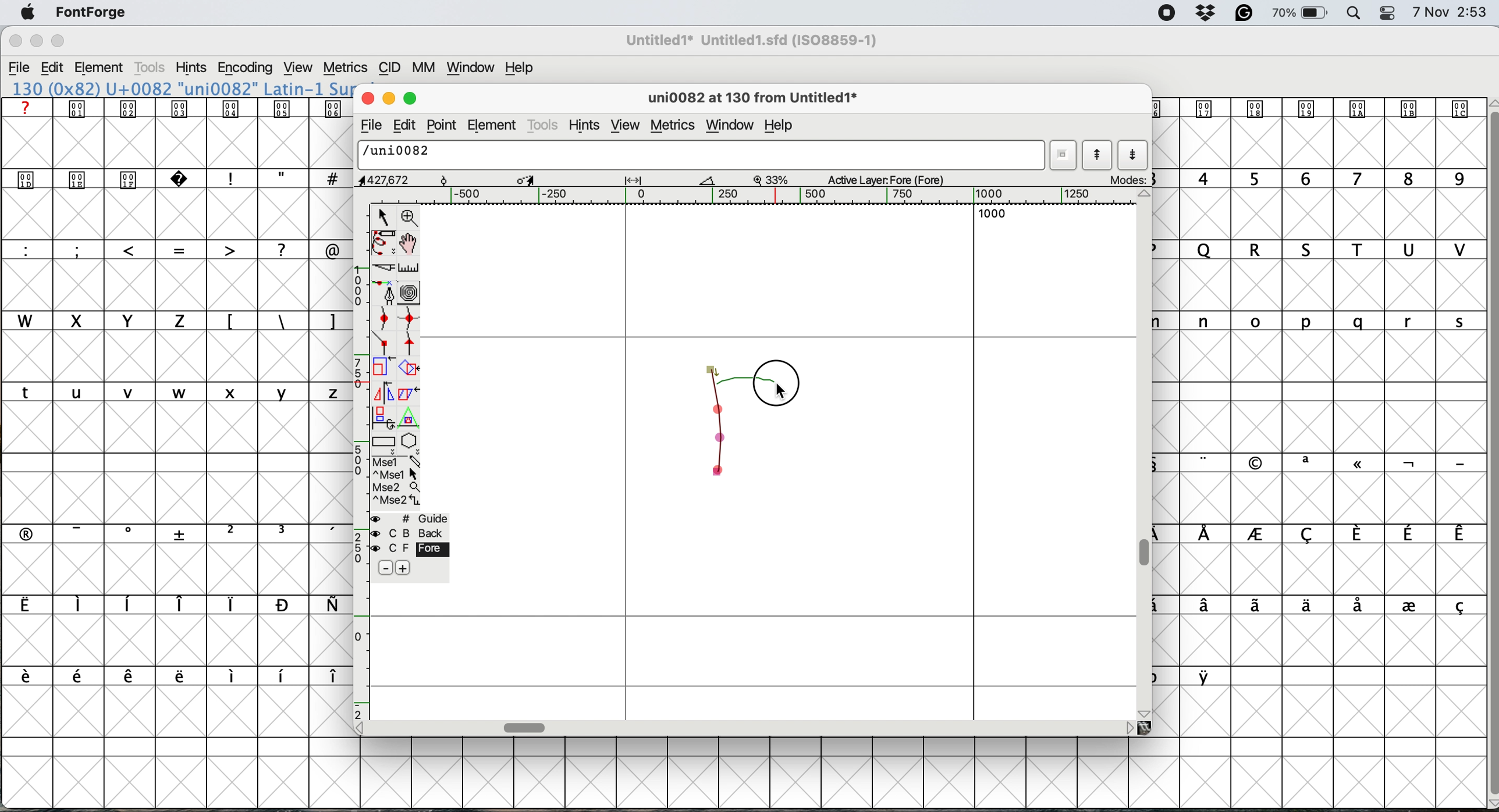 Image resolution: width=1499 pixels, height=812 pixels. What do you see at coordinates (384, 215) in the screenshot?
I see `select` at bounding box center [384, 215].